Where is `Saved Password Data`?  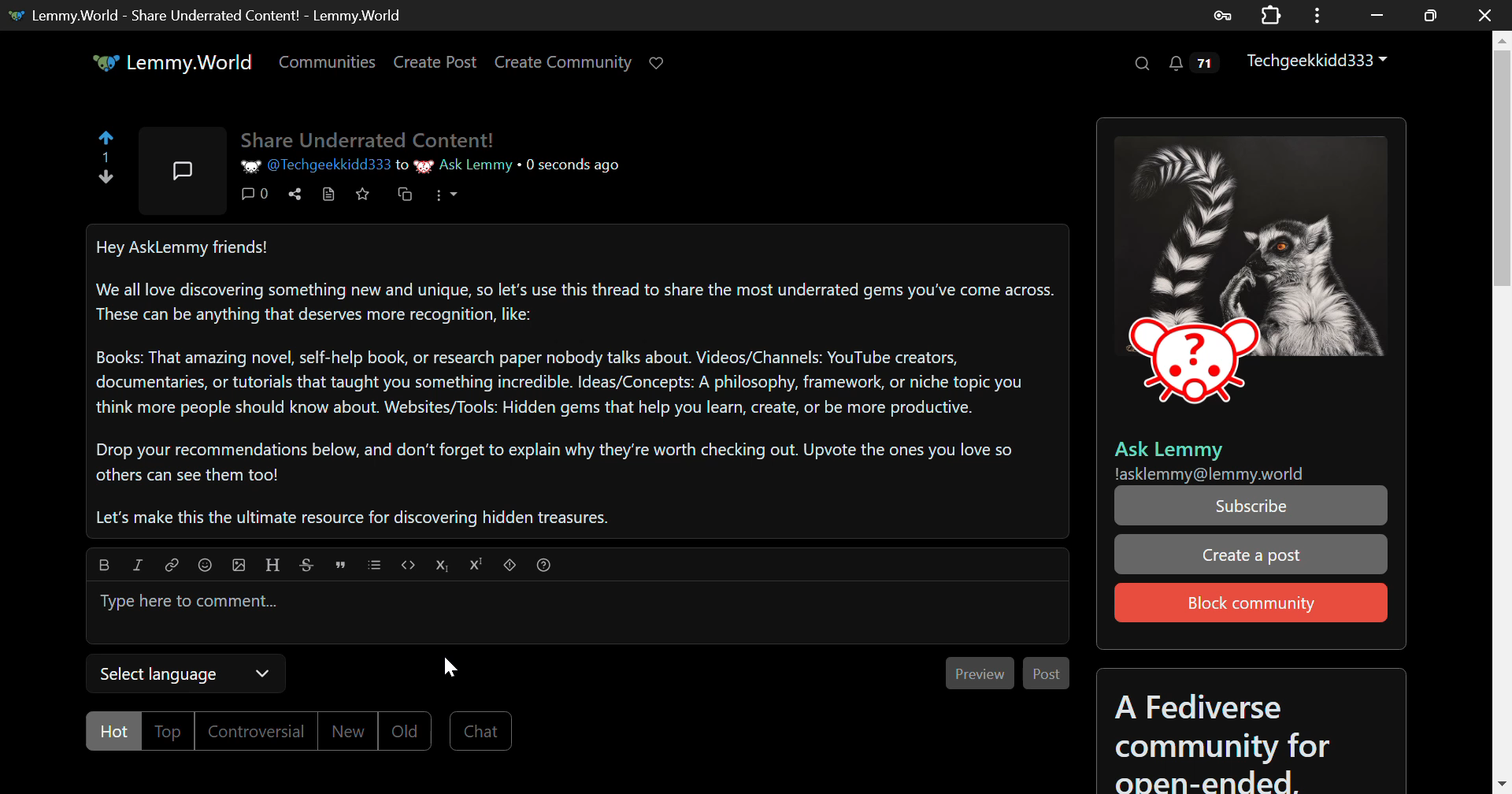
Saved Password Data is located at coordinates (1221, 16).